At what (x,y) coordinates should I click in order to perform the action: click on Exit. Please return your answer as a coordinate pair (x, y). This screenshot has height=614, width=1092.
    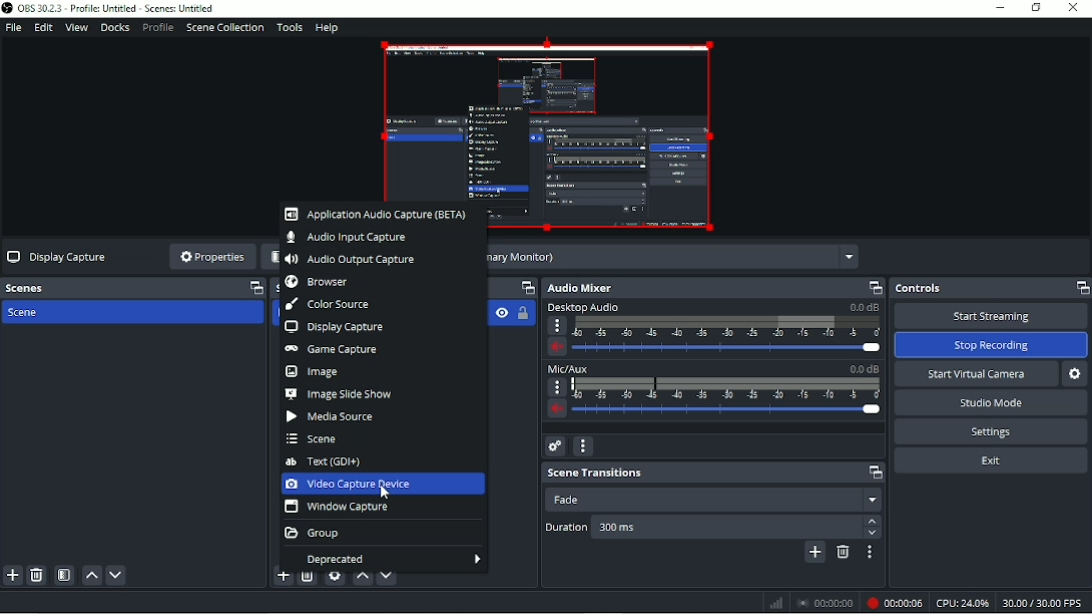
    Looking at the image, I should click on (991, 460).